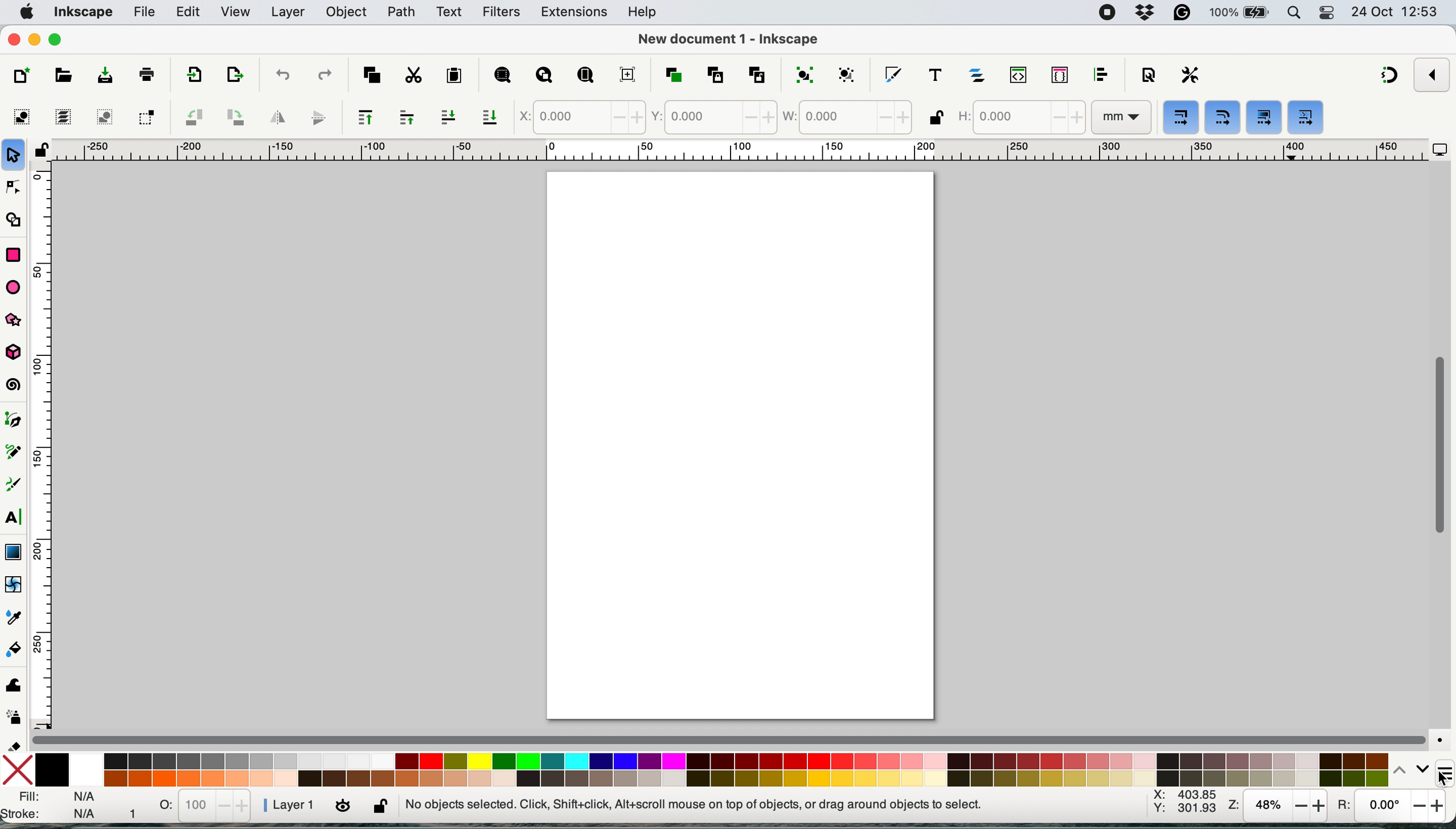 This screenshot has height=829, width=1456. What do you see at coordinates (14, 287) in the screenshot?
I see `ellipse arc tool` at bounding box center [14, 287].